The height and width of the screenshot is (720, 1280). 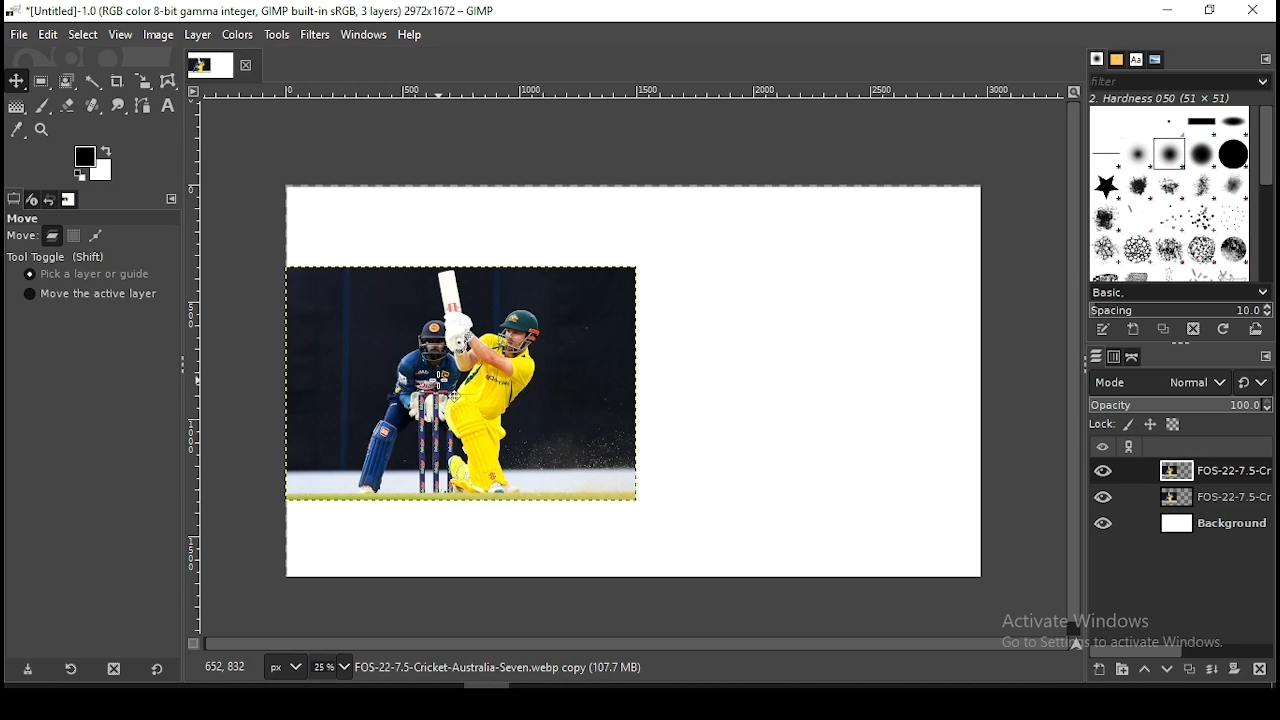 What do you see at coordinates (1103, 329) in the screenshot?
I see `edit this brush` at bounding box center [1103, 329].